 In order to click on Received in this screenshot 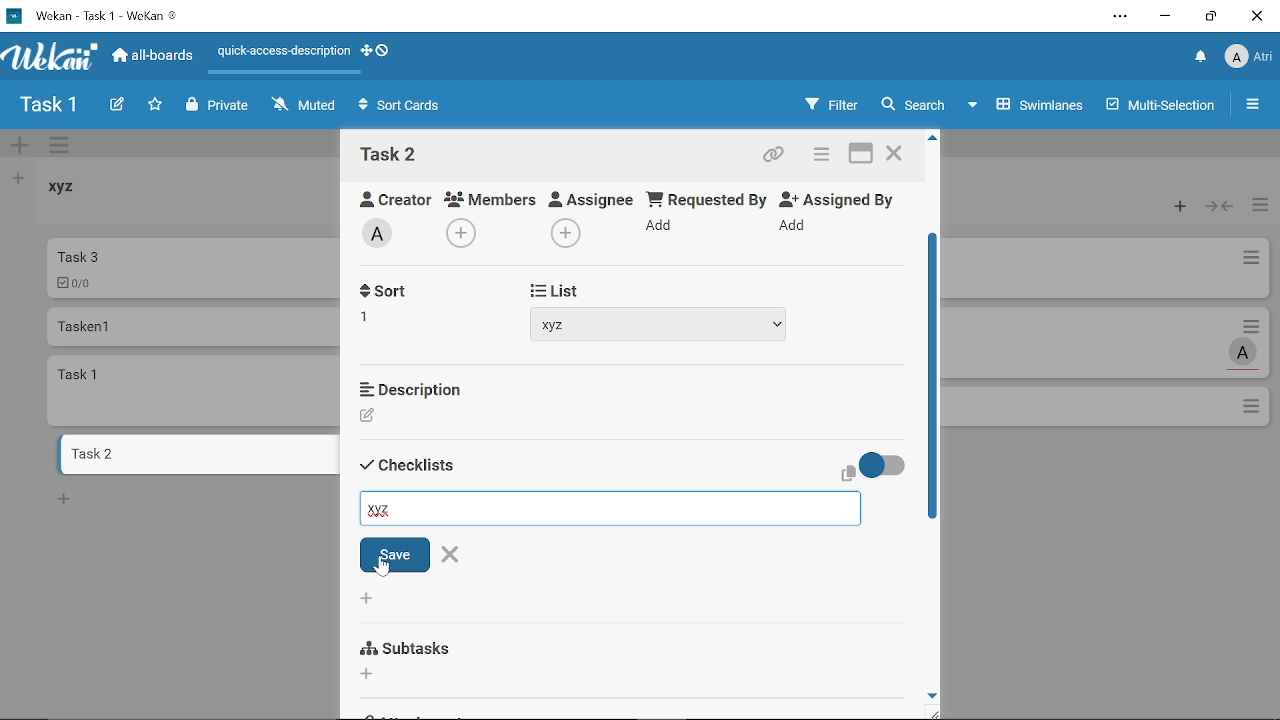, I will do `click(405, 293)`.